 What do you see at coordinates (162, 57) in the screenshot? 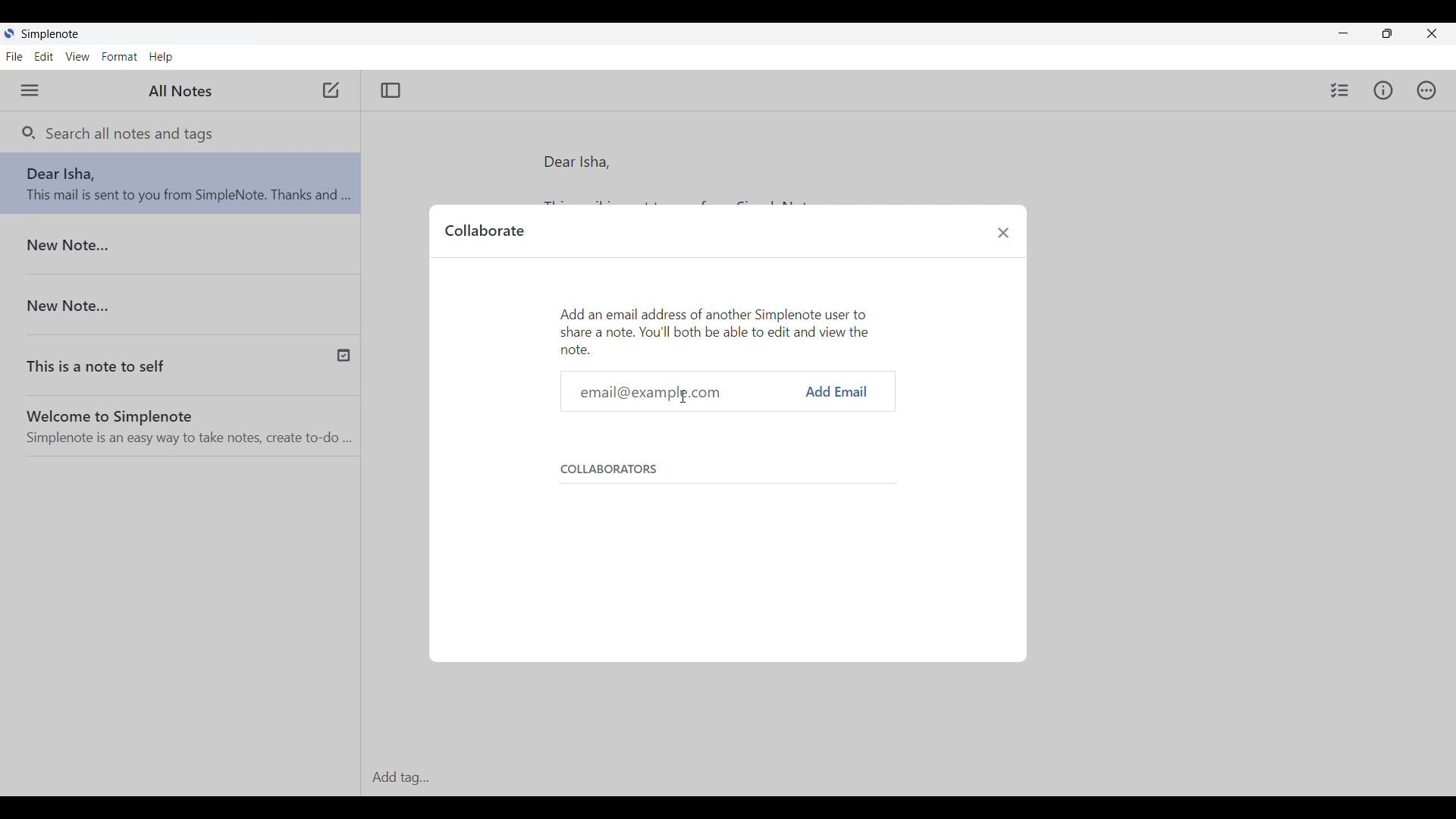
I see `Help` at bounding box center [162, 57].